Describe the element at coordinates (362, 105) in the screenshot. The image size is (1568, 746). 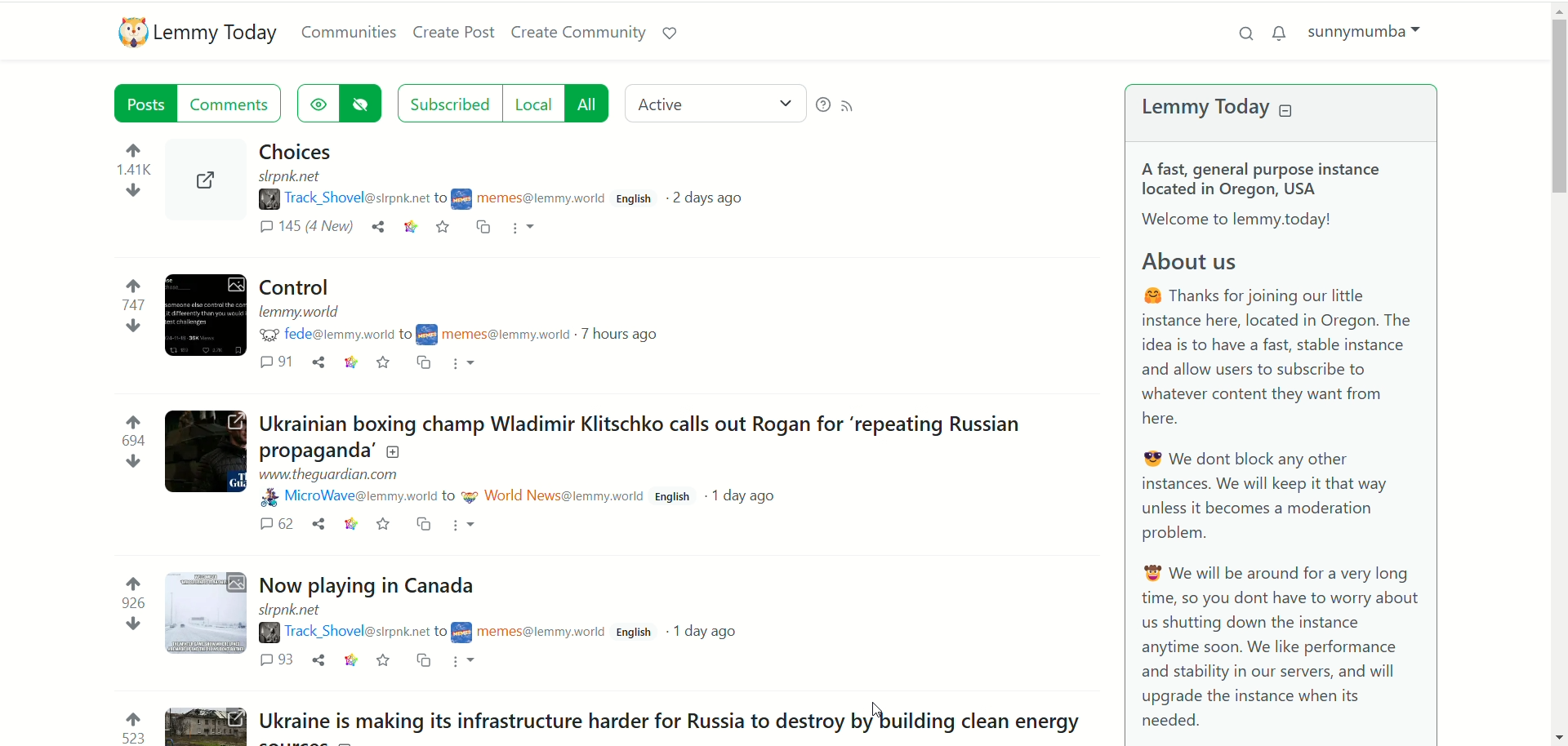
I see `hide posts` at that location.